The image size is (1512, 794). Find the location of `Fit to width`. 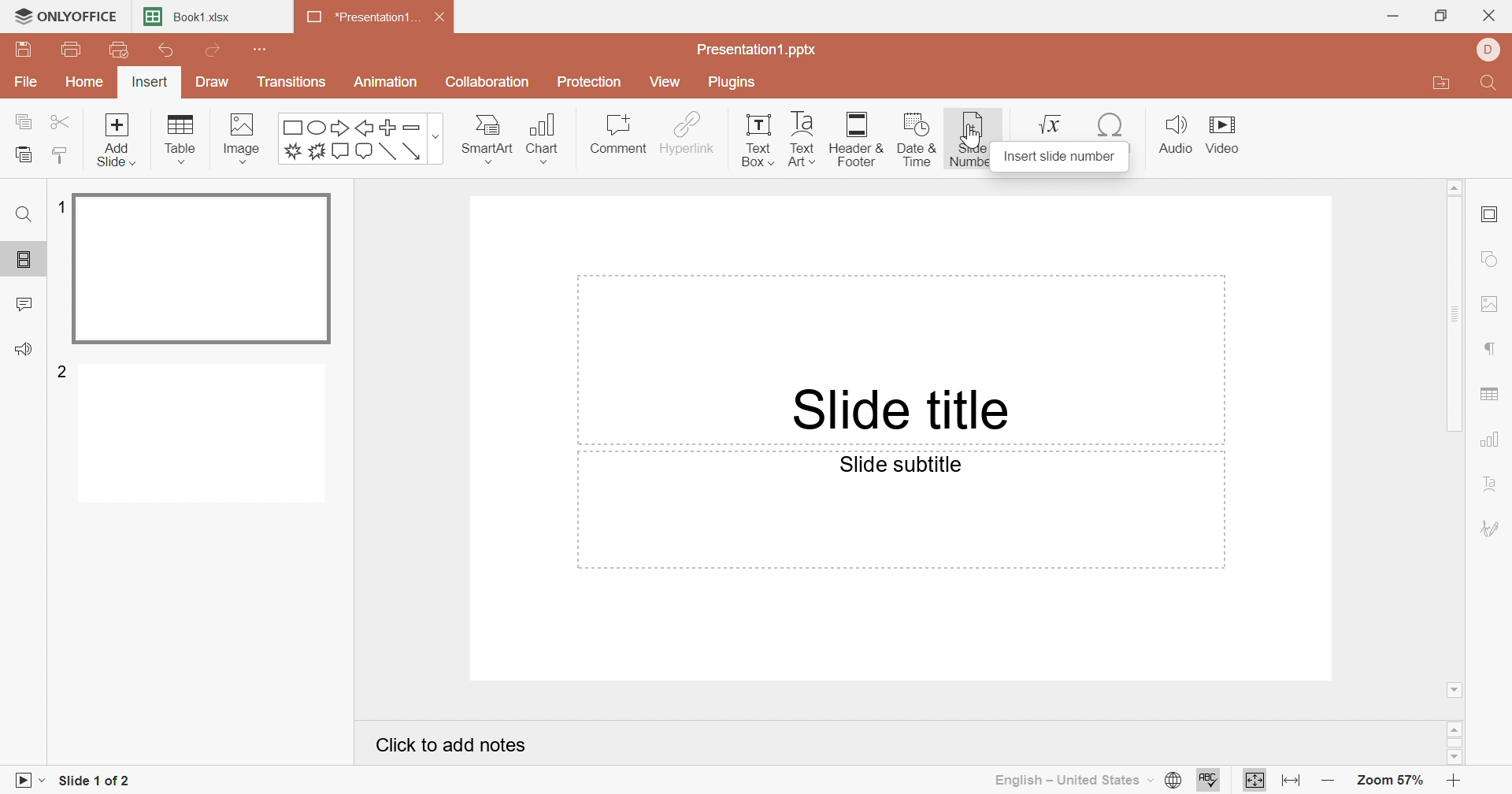

Fit to width is located at coordinates (1292, 781).